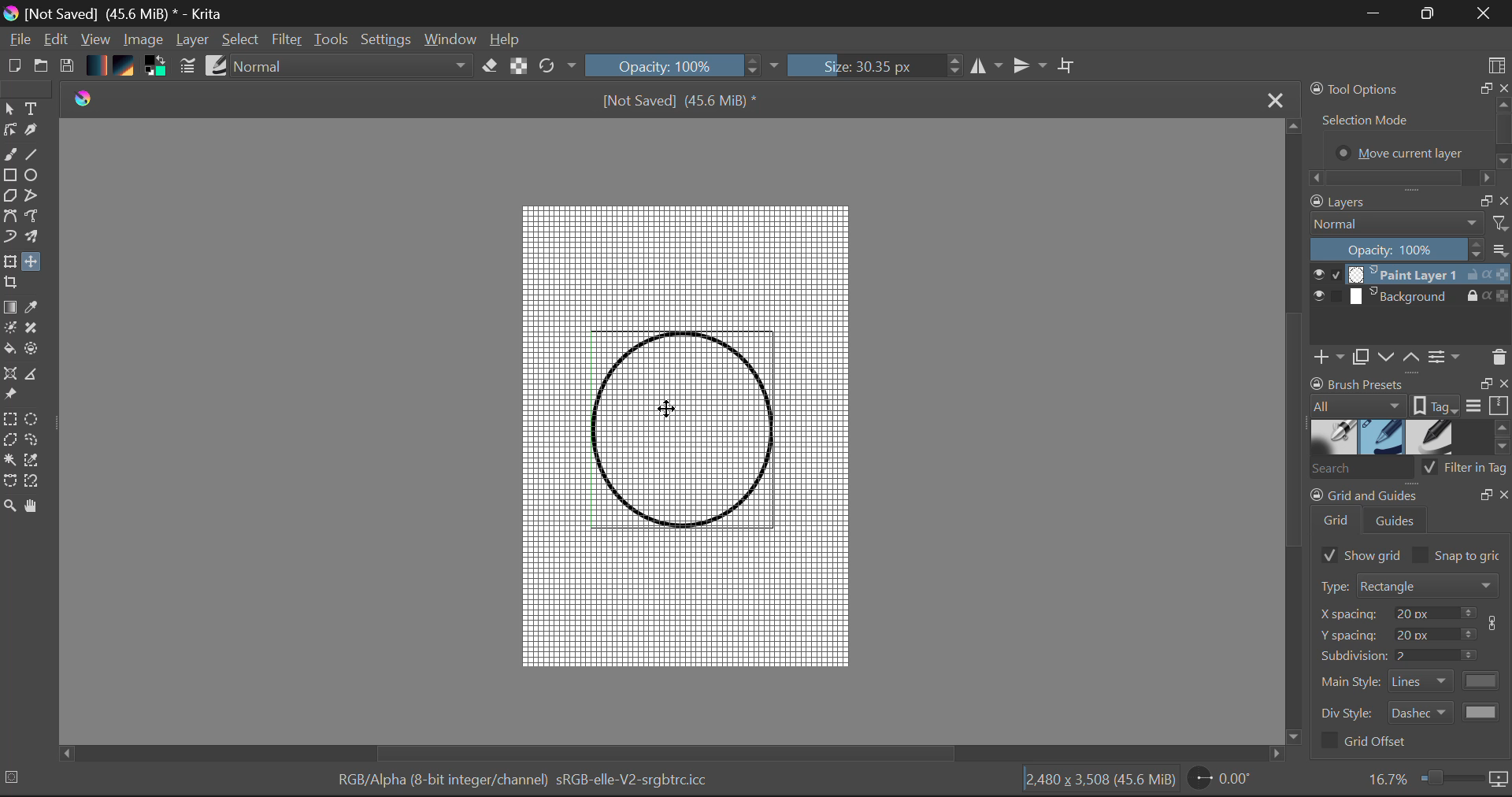 Image resolution: width=1512 pixels, height=797 pixels. I want to click on Layers Quickbuttons, so click(1408, 358).